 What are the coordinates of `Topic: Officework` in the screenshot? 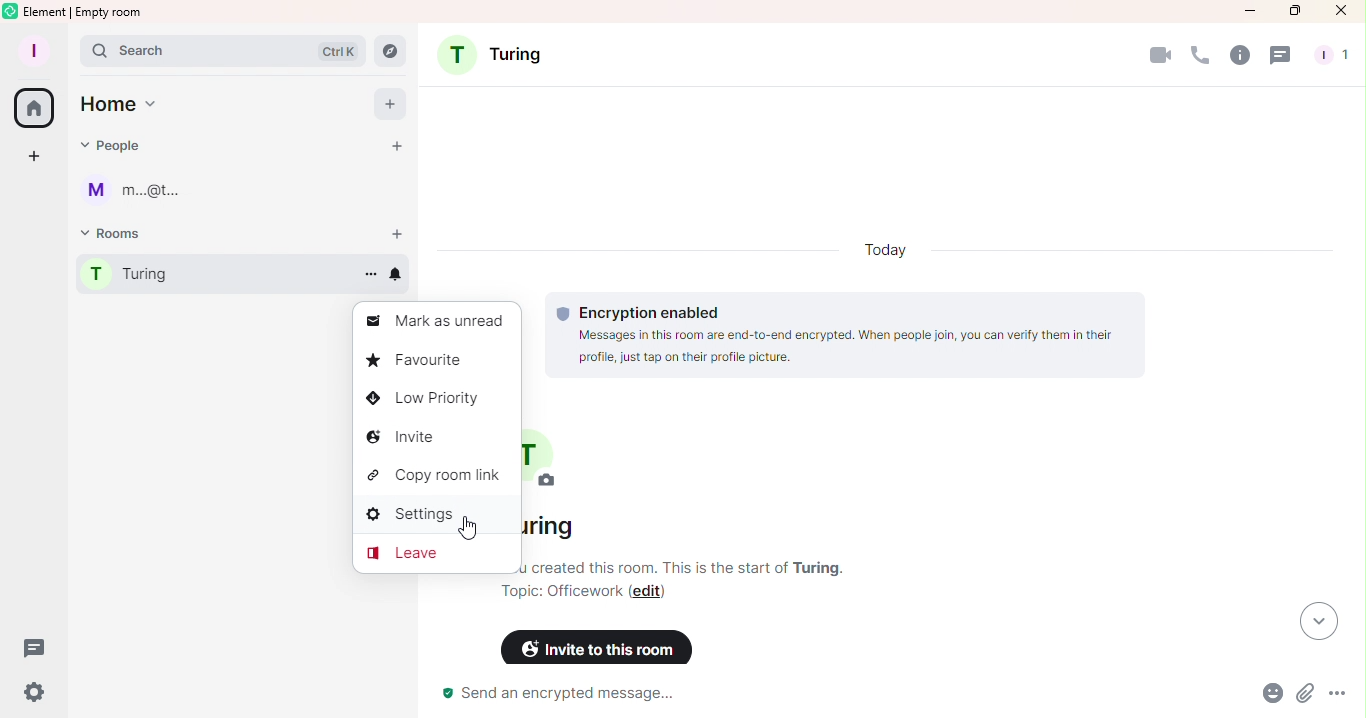 It's located at (562, 593).